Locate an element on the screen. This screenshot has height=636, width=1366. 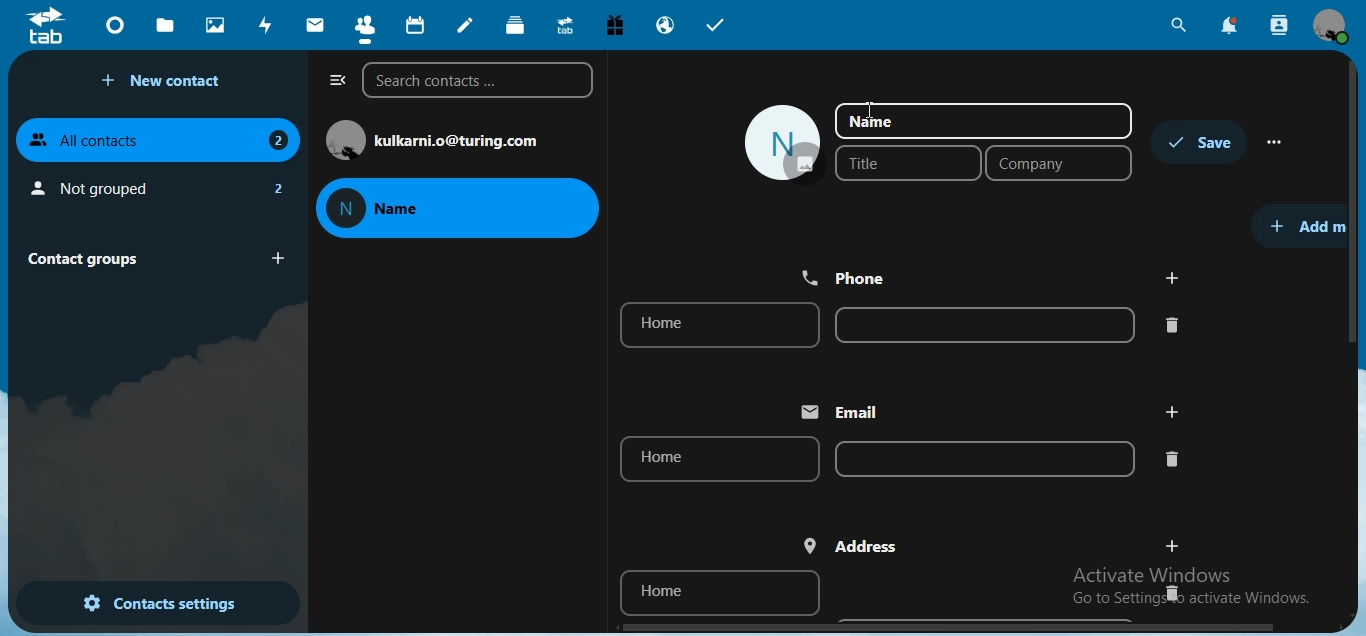
dashboard is located at coordinates (114, 24).